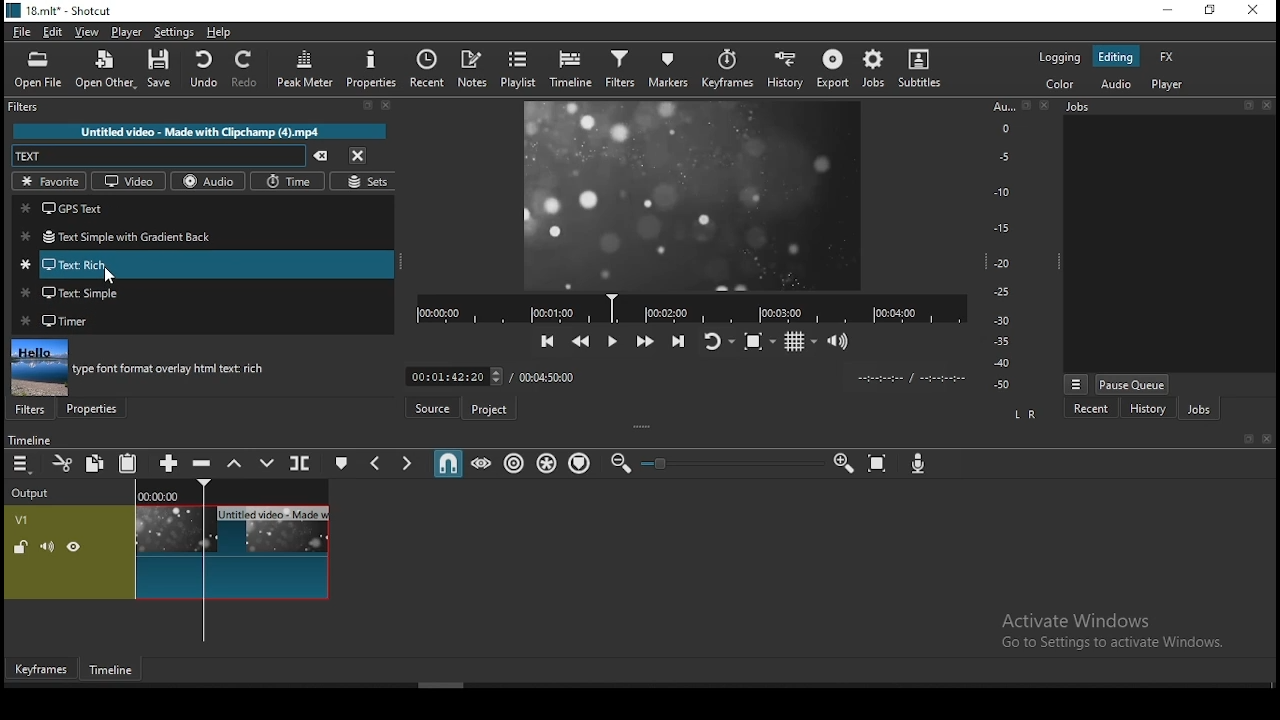  What do you see at coordinates (1266, 105) in the screenshot?
I see `Close` at bounding box center [1266, 105].